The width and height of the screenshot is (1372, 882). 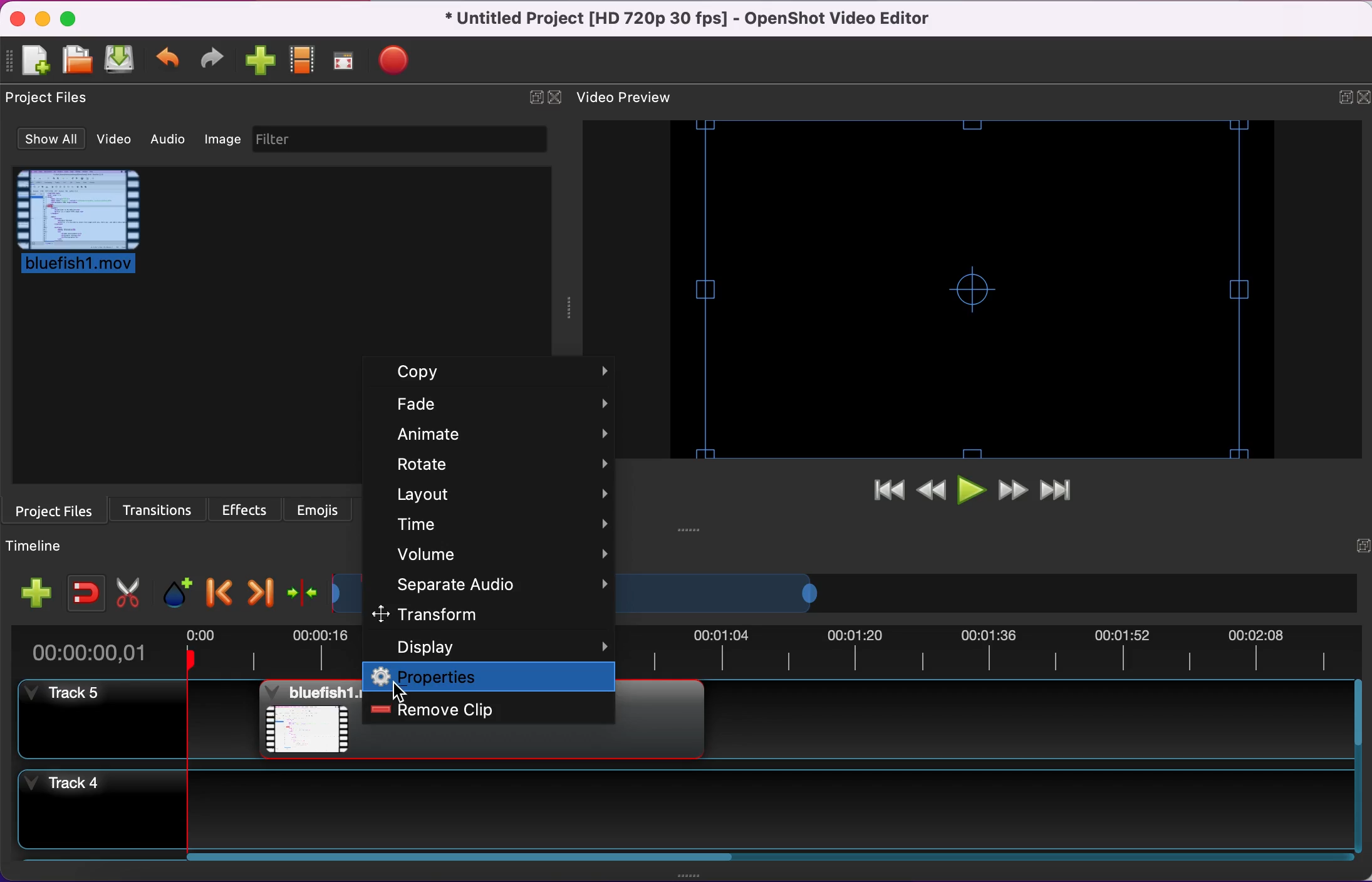 I want to click on project files, so click(x=55, y=512).